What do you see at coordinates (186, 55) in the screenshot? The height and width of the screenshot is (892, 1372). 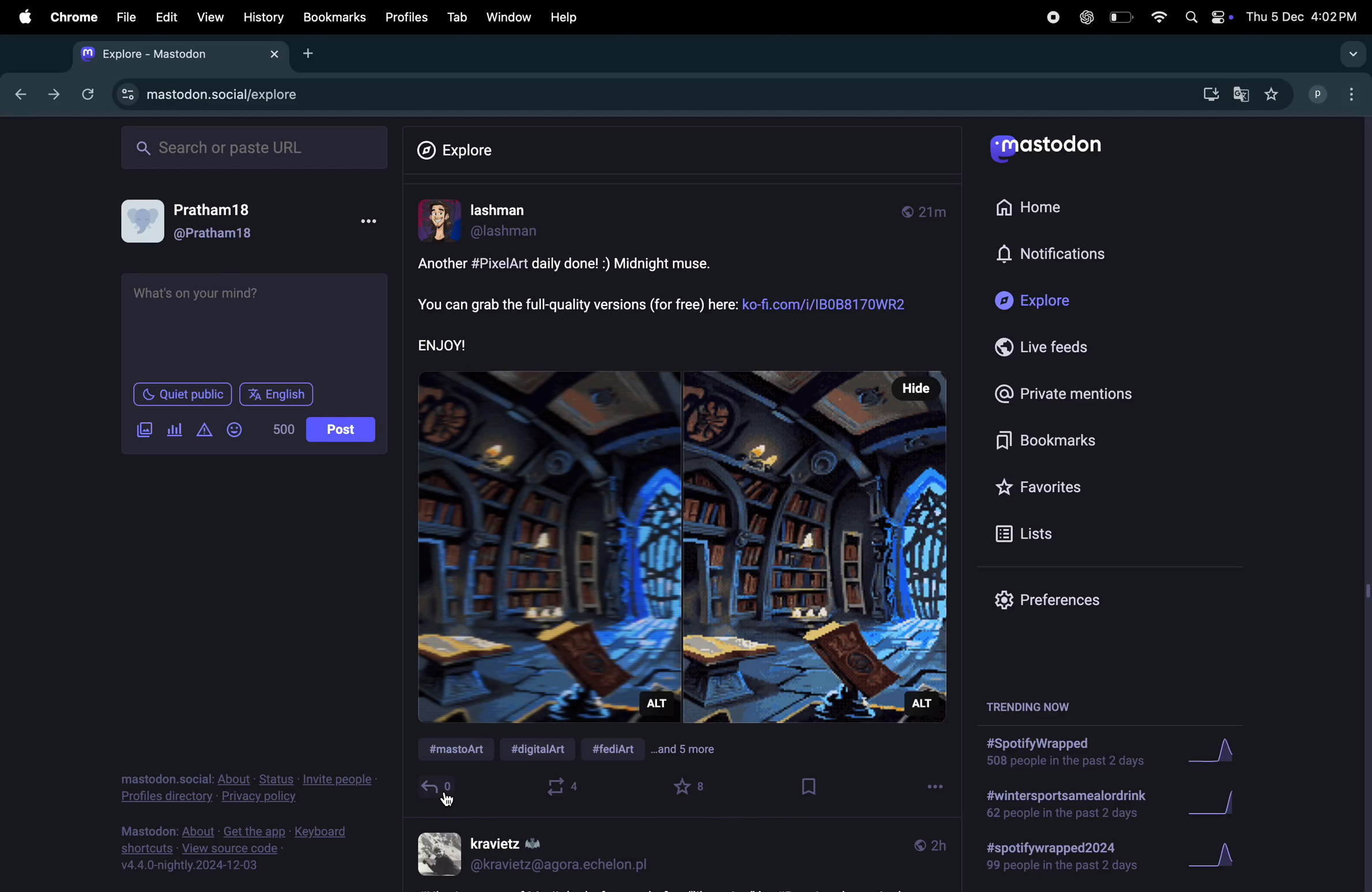 I see `mastdon tab` at bounding box center [186, 55].